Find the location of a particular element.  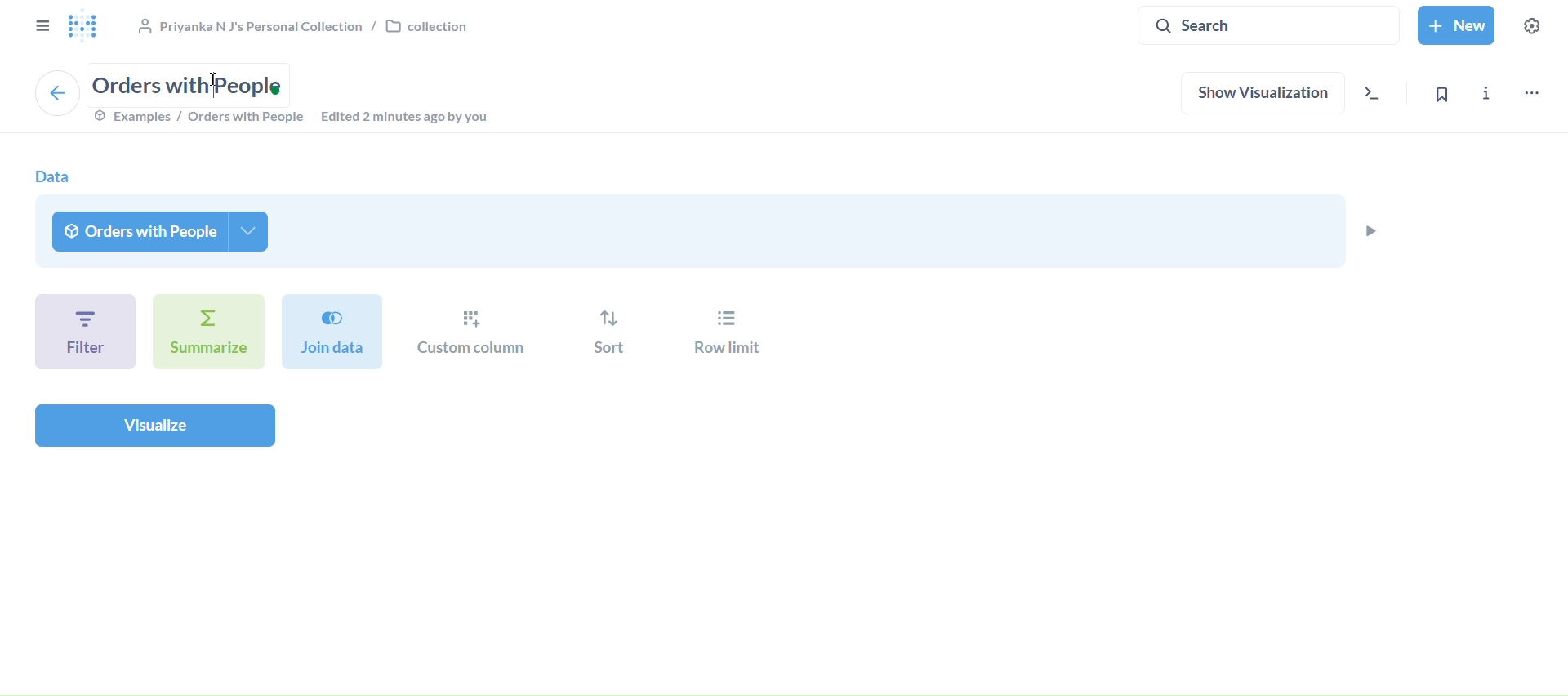

custom column is located at coordinates (474, 332).